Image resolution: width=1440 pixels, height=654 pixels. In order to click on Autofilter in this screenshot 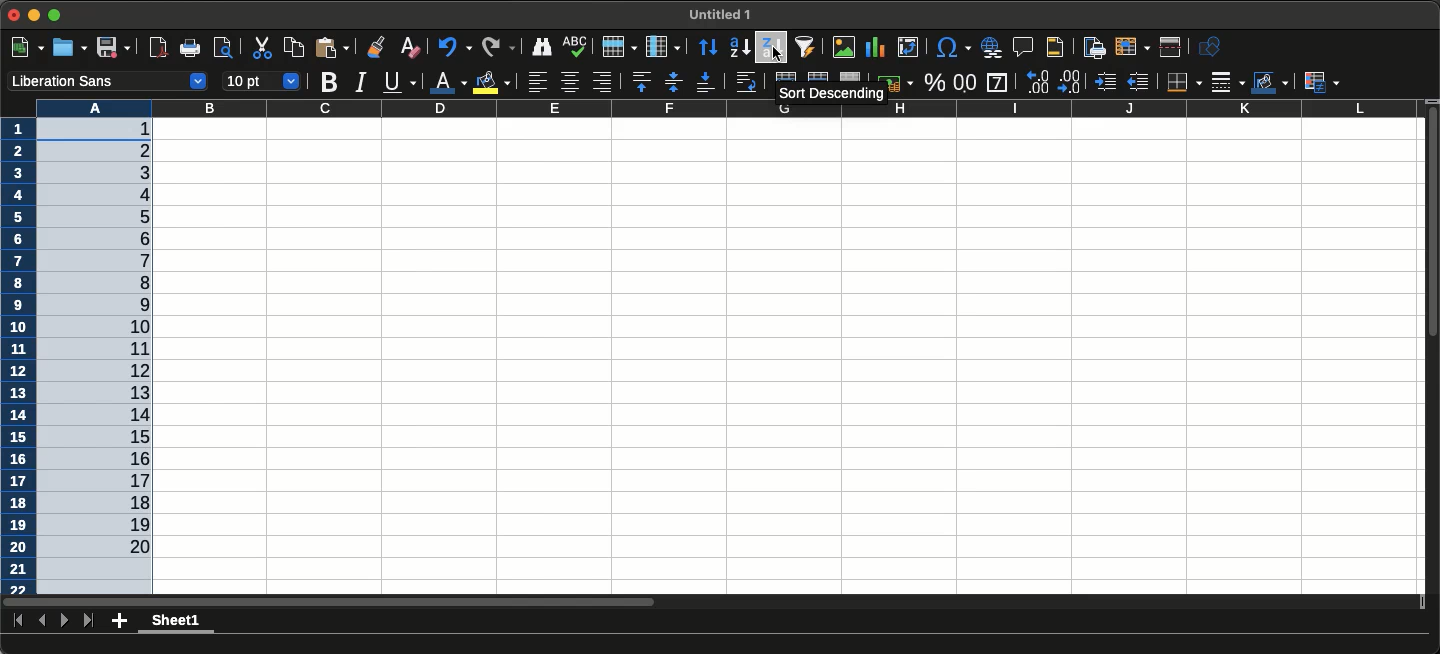, I will do `click(807, 47)`.